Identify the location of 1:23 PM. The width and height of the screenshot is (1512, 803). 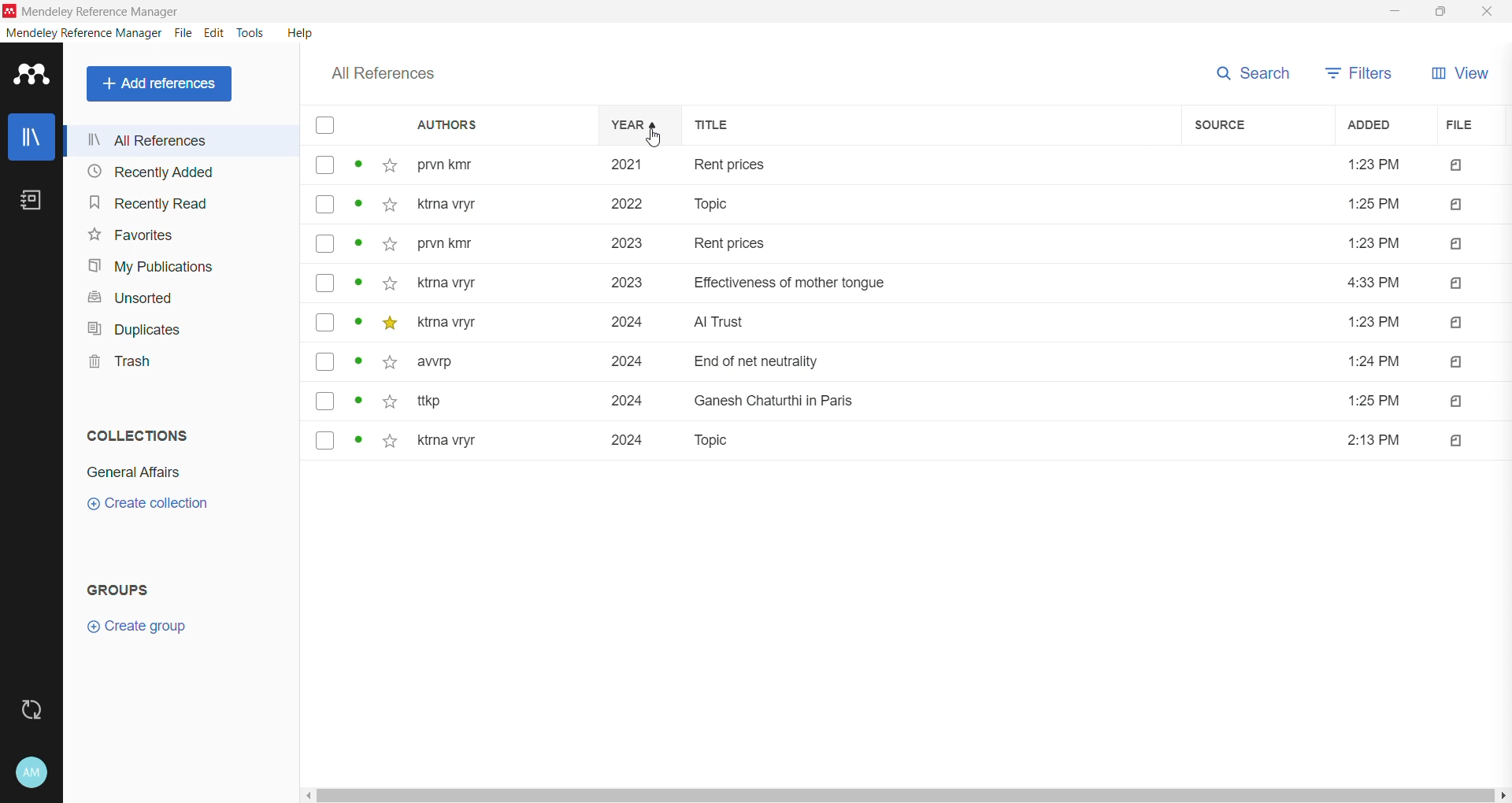
(1373, 242).